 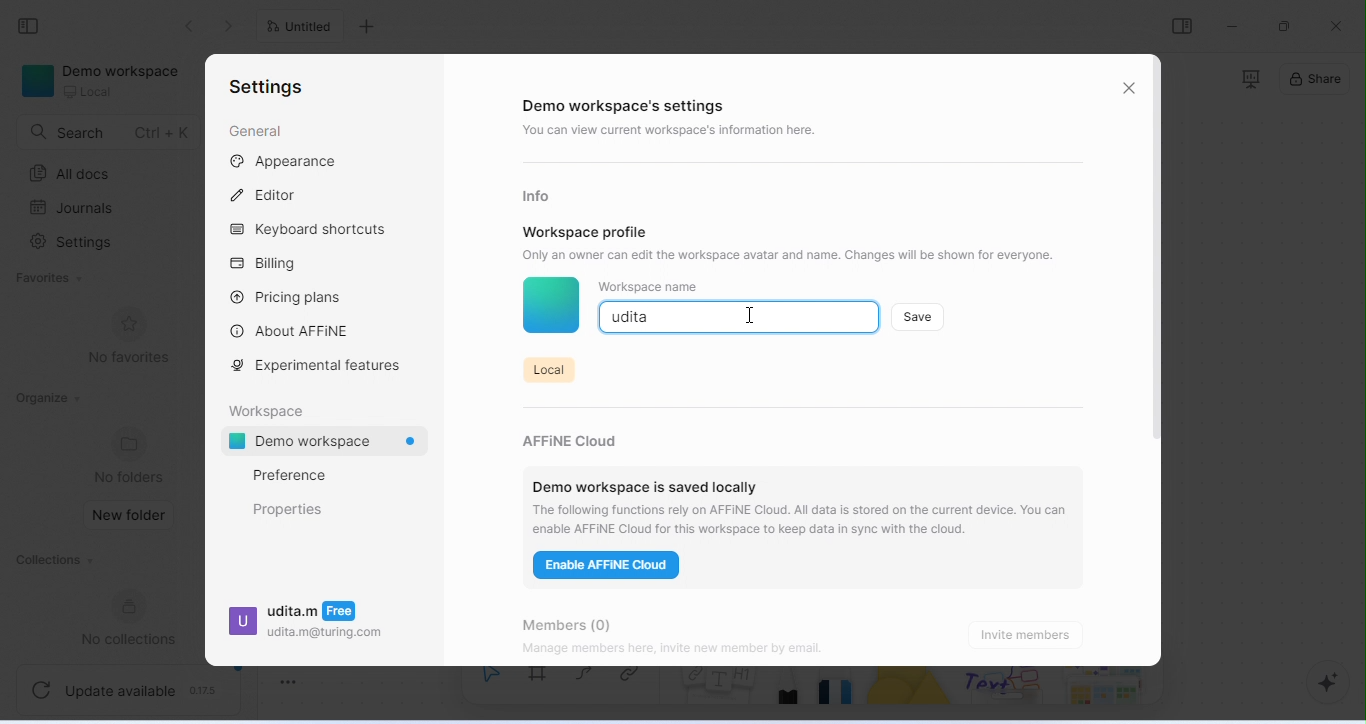 I want to click on demo workspace's settings, so click(x=628, y=107).